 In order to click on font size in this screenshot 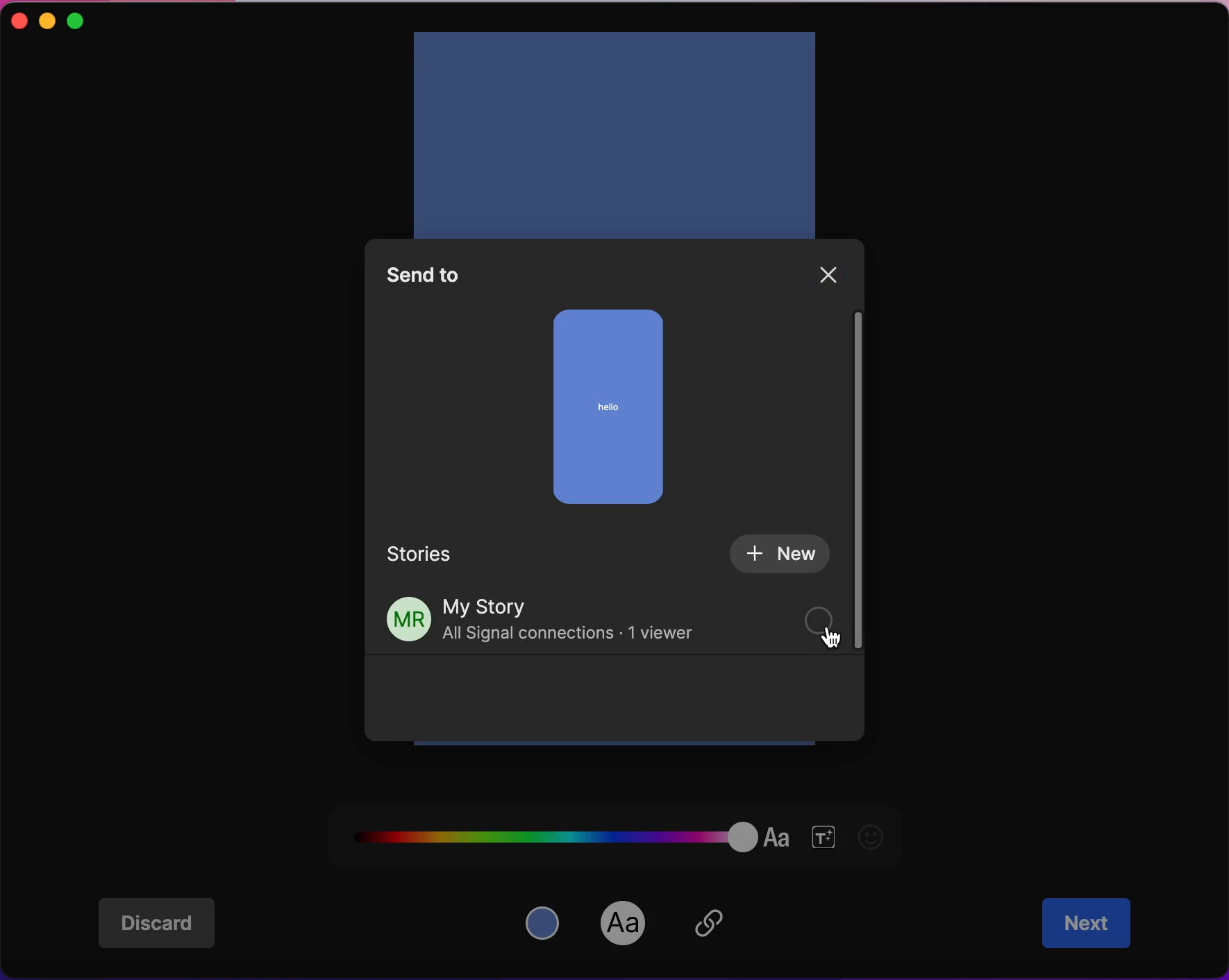, I will do `click(823, 834)`.